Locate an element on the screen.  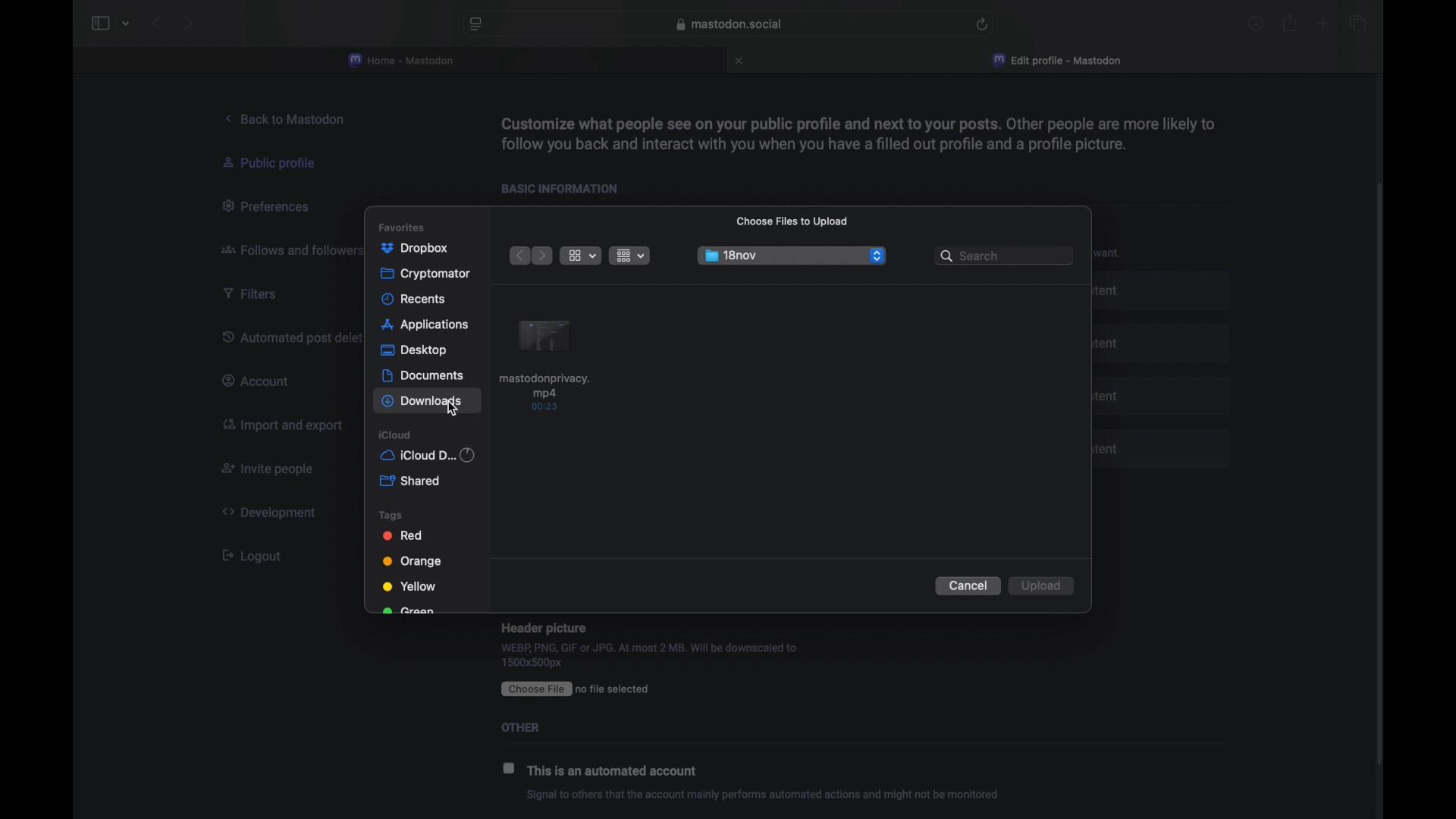
dropbox is located at coordinates (414, 249).